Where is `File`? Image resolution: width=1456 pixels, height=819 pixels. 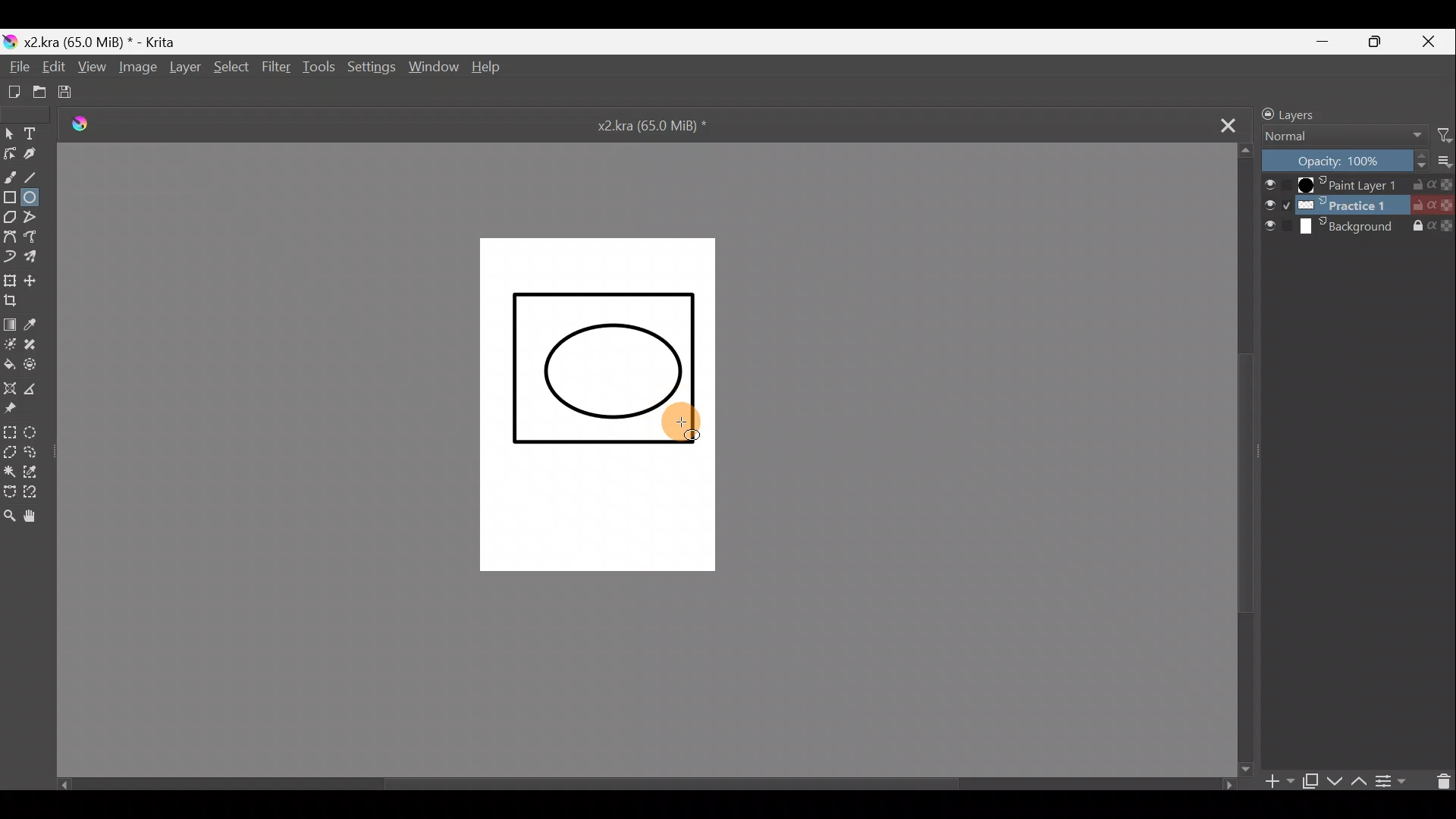 File is located at coordinates (15, 67).